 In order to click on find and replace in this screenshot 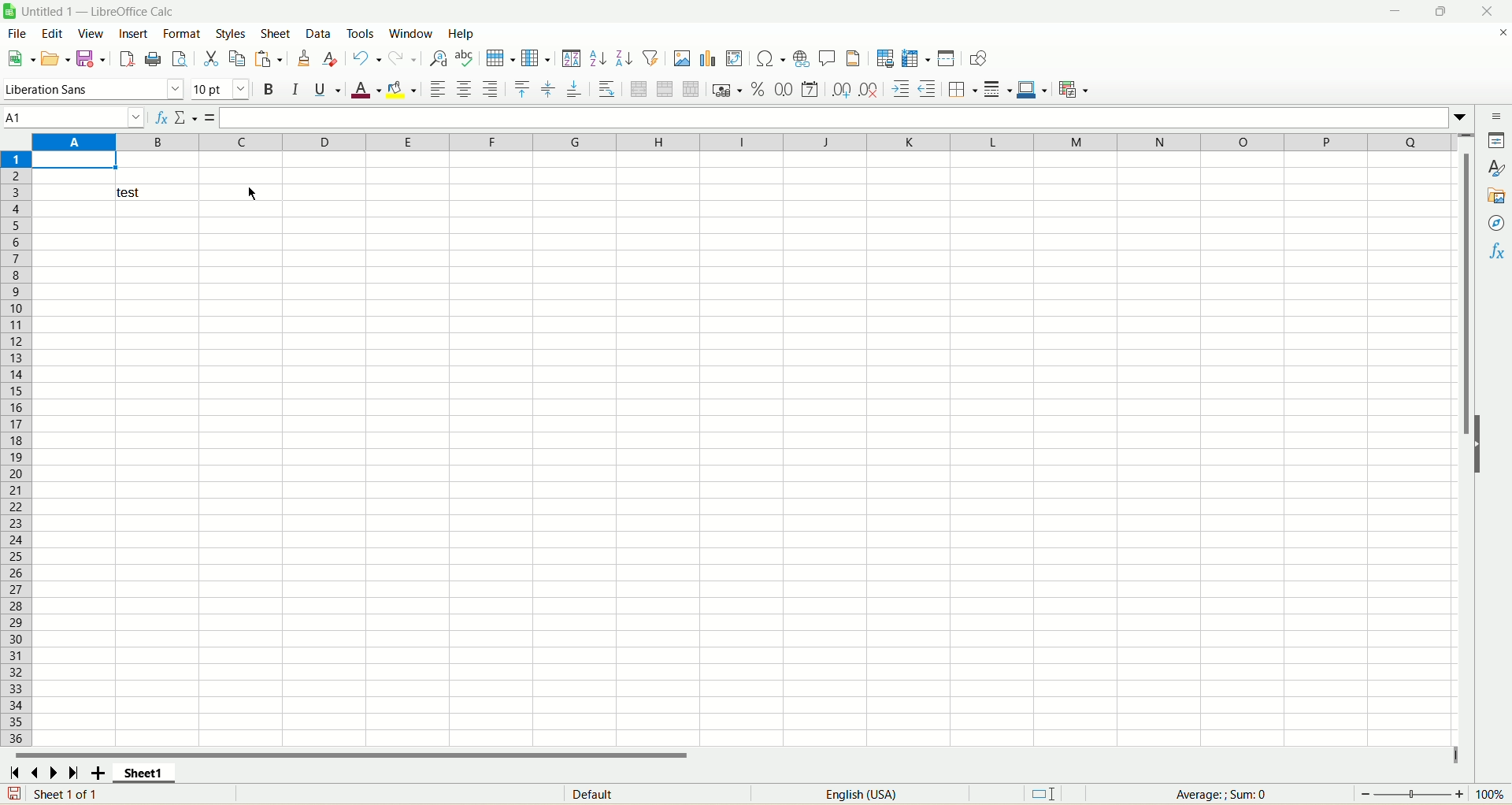, I will do `click(439, 58)`.